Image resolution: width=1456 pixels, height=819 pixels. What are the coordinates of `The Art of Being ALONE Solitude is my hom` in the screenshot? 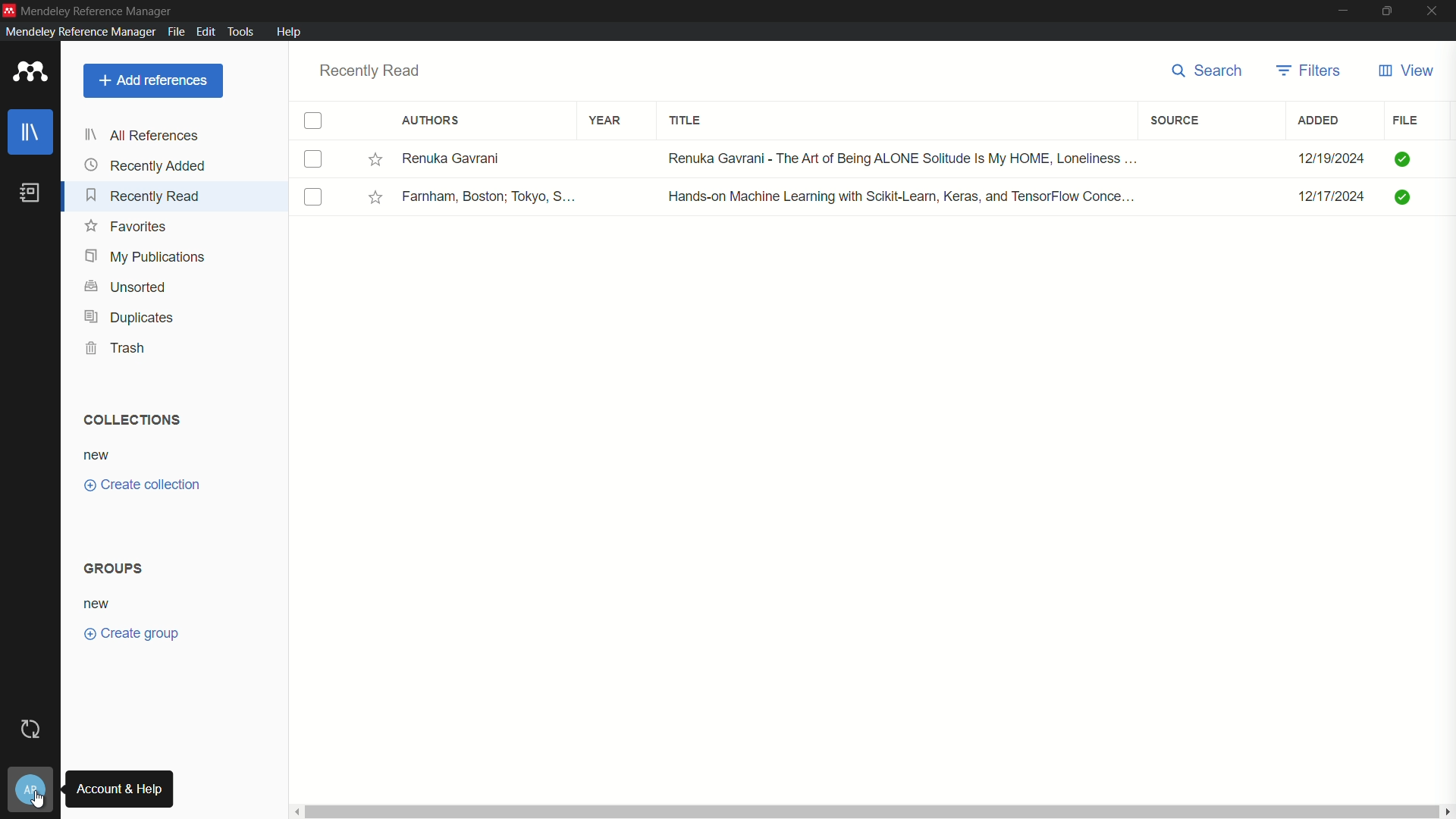 It's located at (901, 159).